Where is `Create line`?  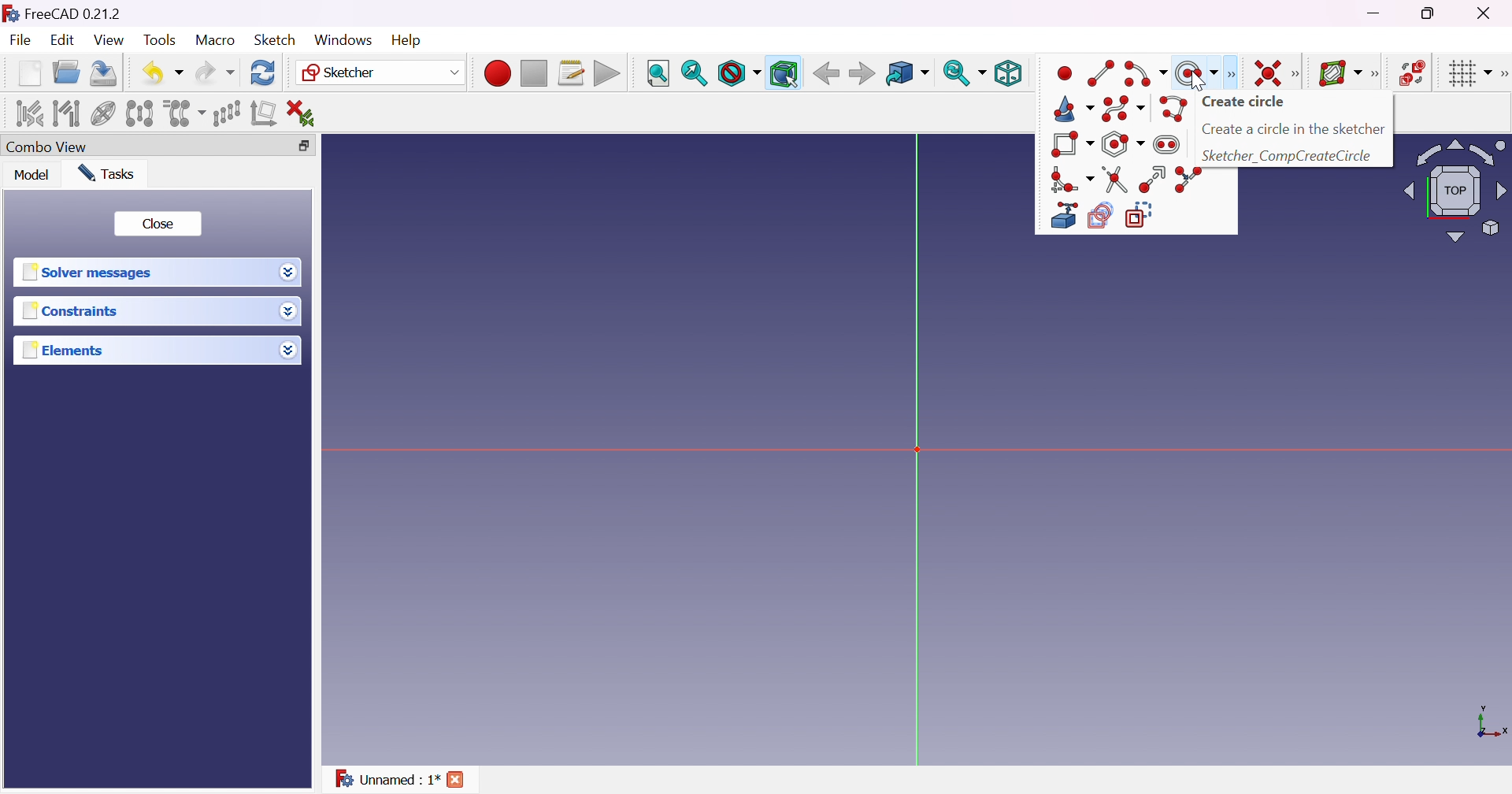 Create line is located at coordinates (1101, 74).